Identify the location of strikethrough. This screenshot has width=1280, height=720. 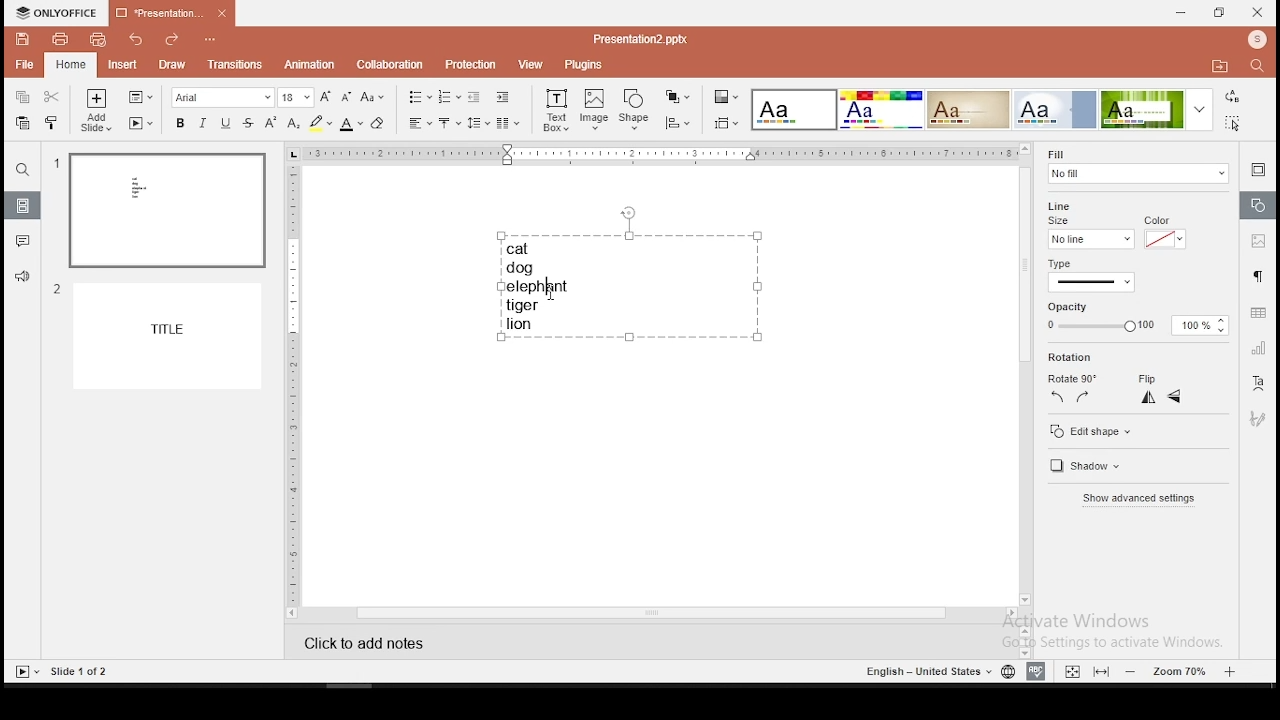
(248, 122).